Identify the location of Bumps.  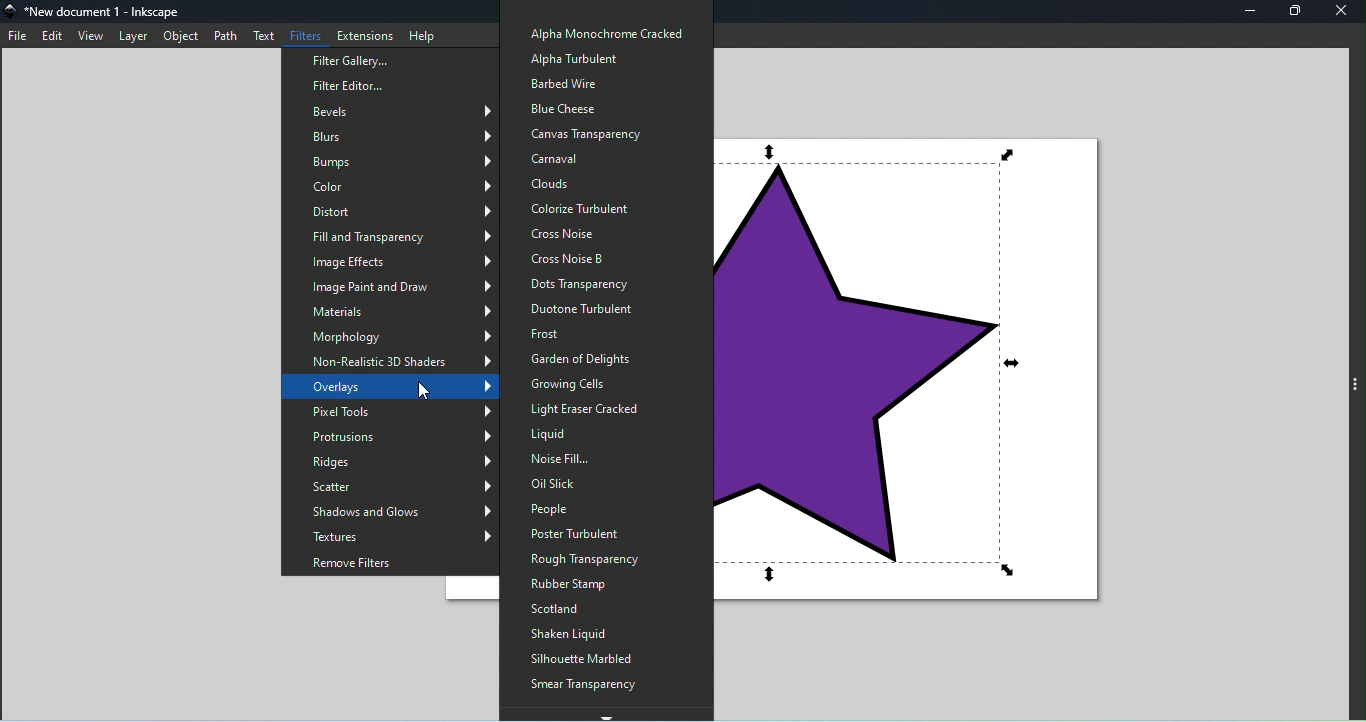
(388, 161).